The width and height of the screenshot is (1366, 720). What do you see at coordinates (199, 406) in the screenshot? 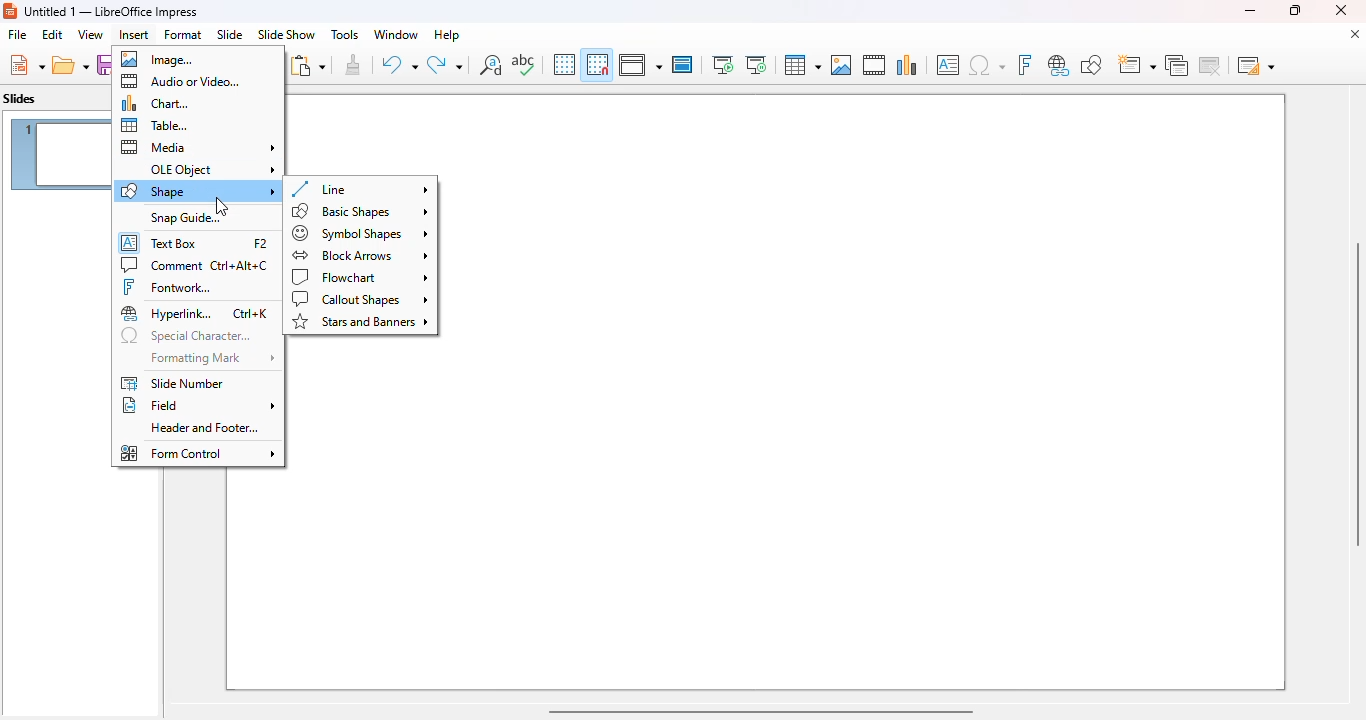
I see `field` at bounding box center [199, 406].